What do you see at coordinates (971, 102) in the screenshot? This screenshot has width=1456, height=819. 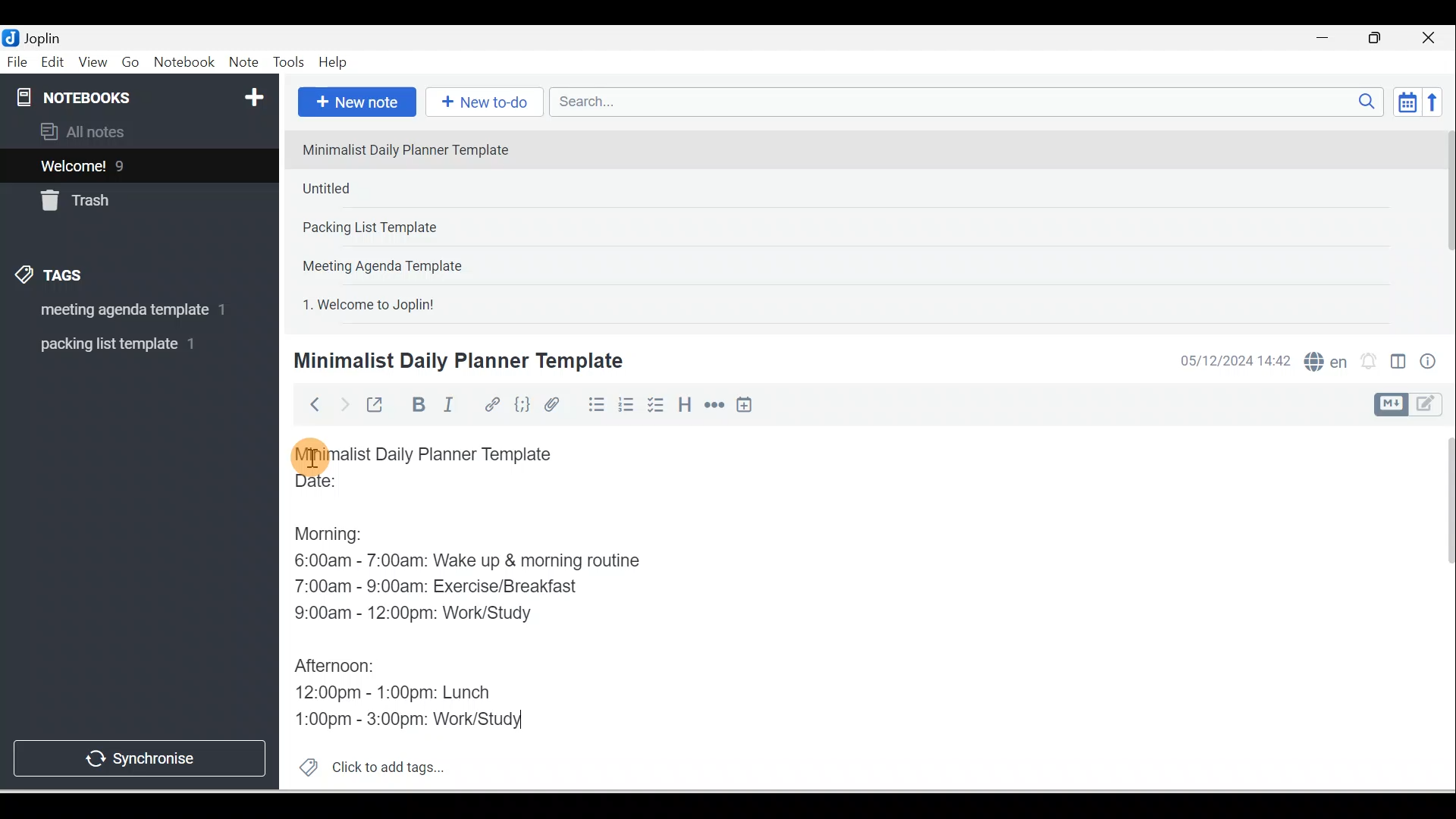 I see `Search bar` at bounding box center [971, 102].